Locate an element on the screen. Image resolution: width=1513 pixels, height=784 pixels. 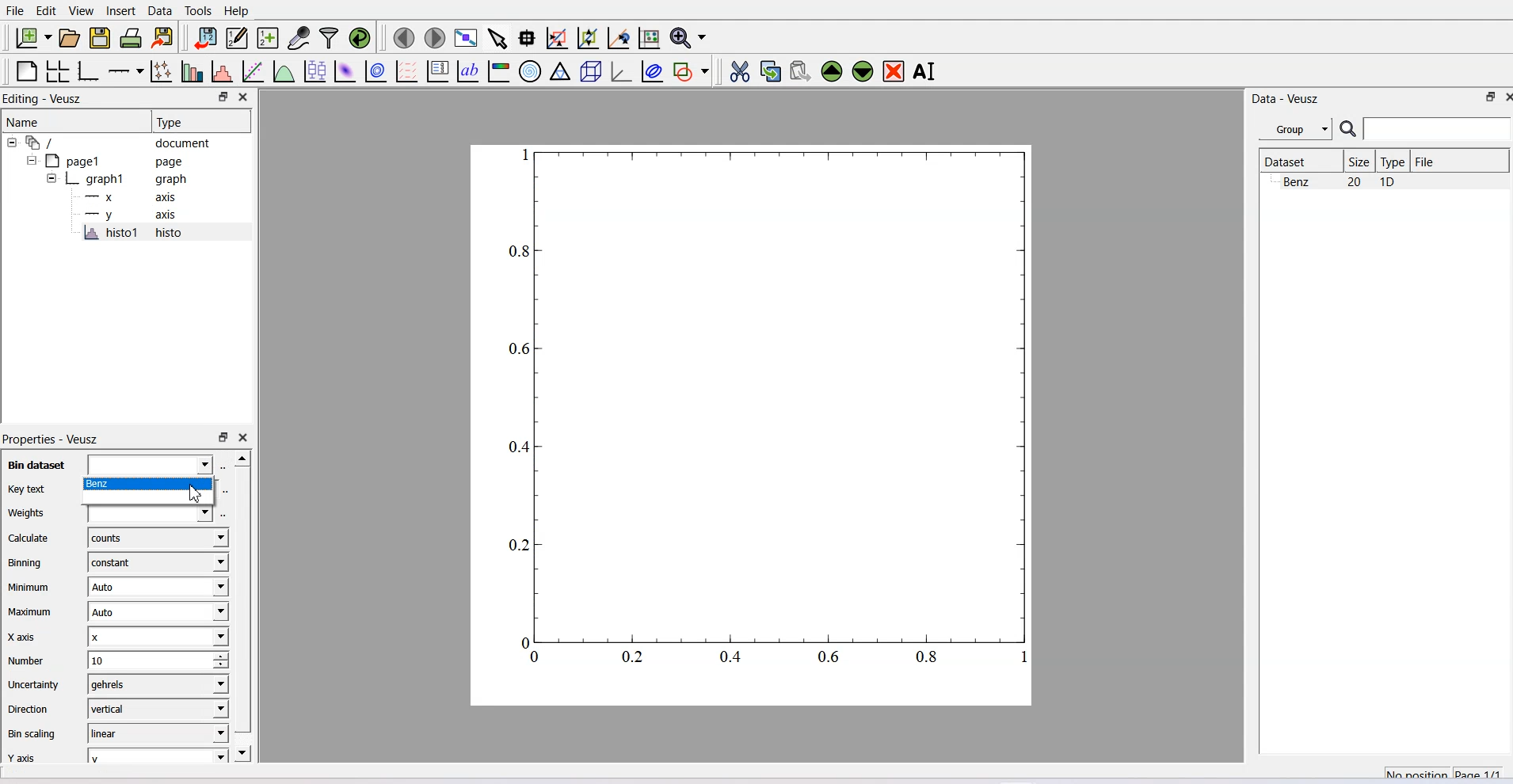
Document is located at coordinates (119, 142).